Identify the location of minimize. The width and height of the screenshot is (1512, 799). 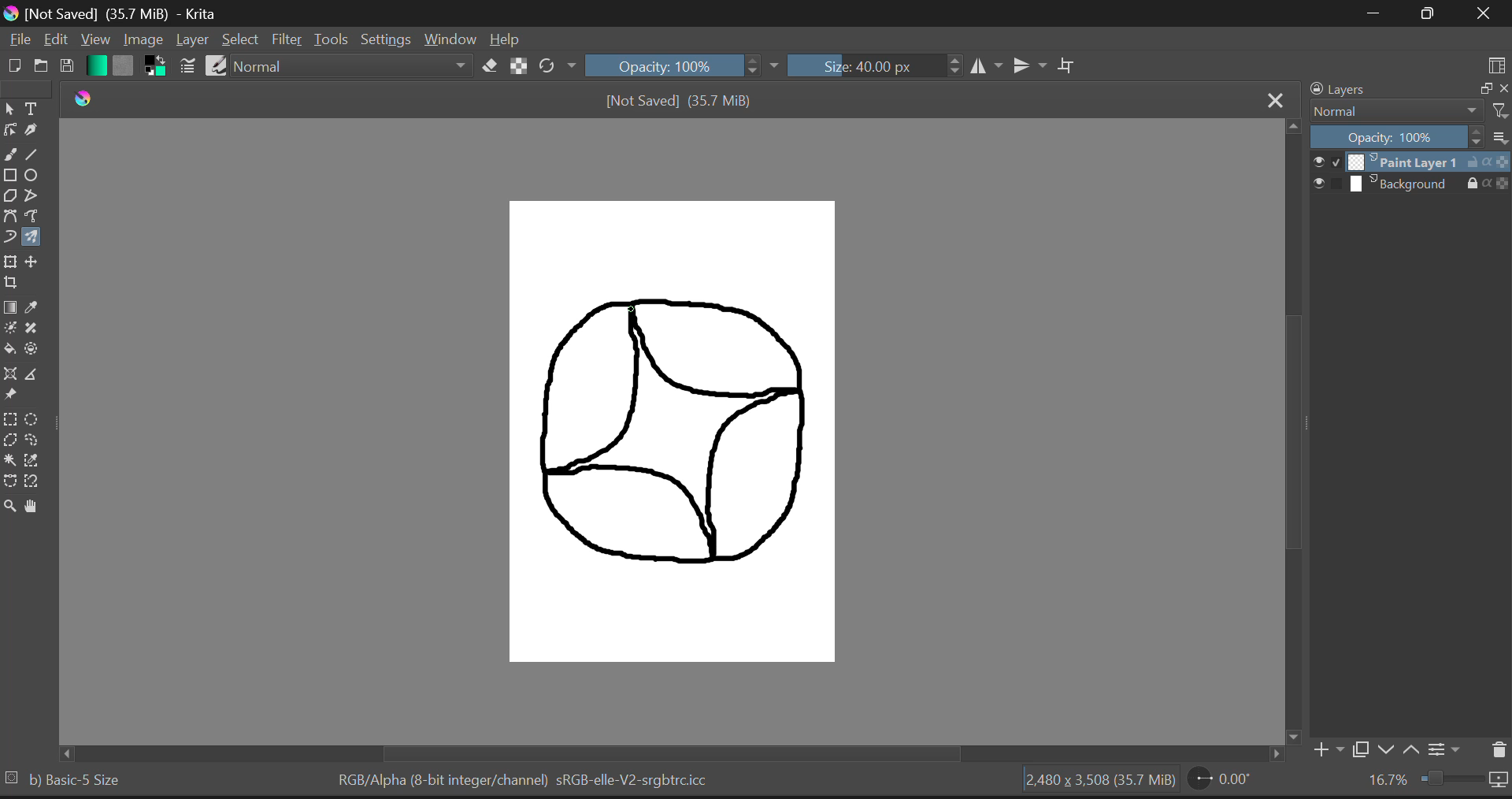
(1484, 87).